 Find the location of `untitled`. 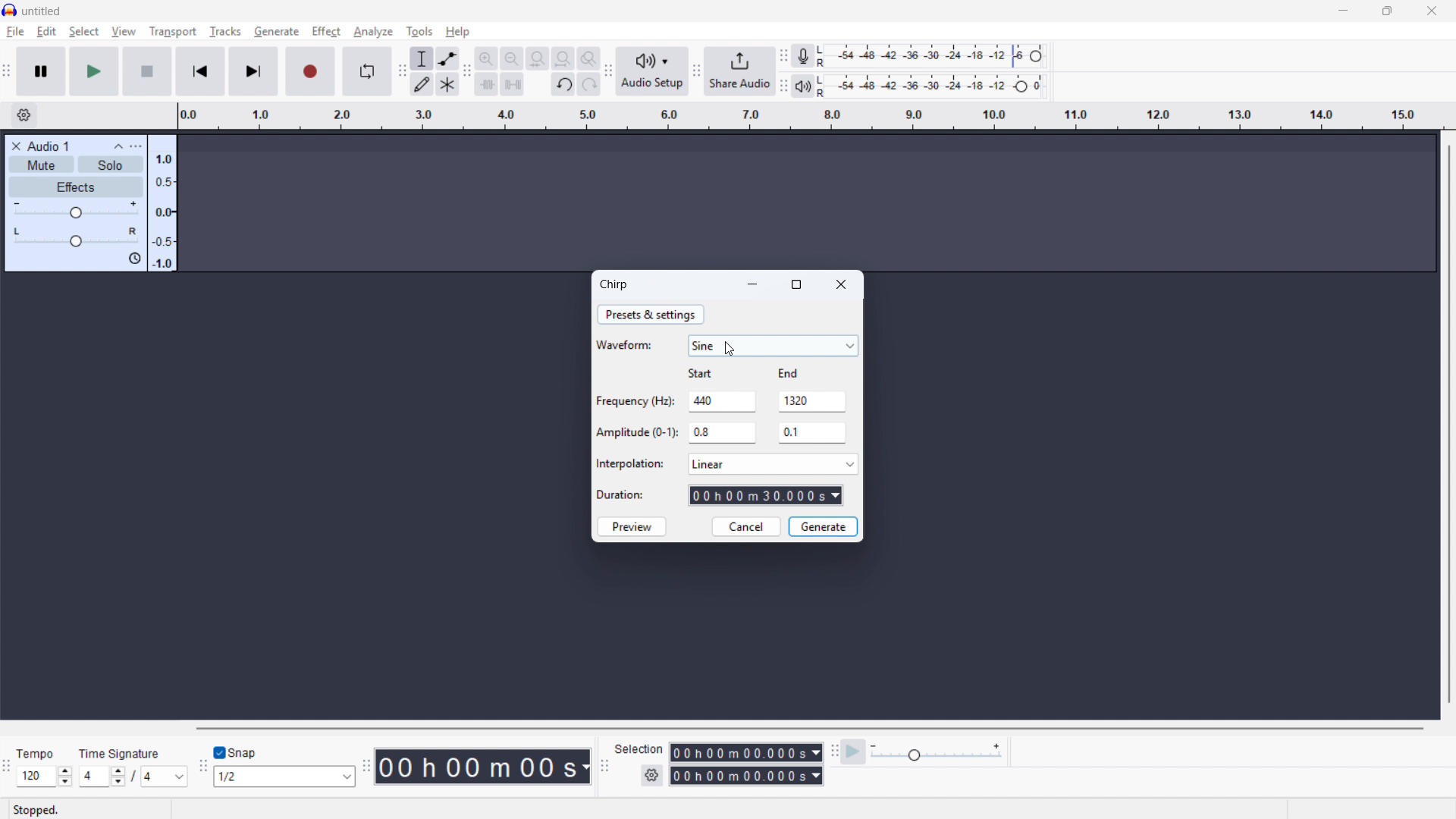

untitled is located at coordinates (42, 10).